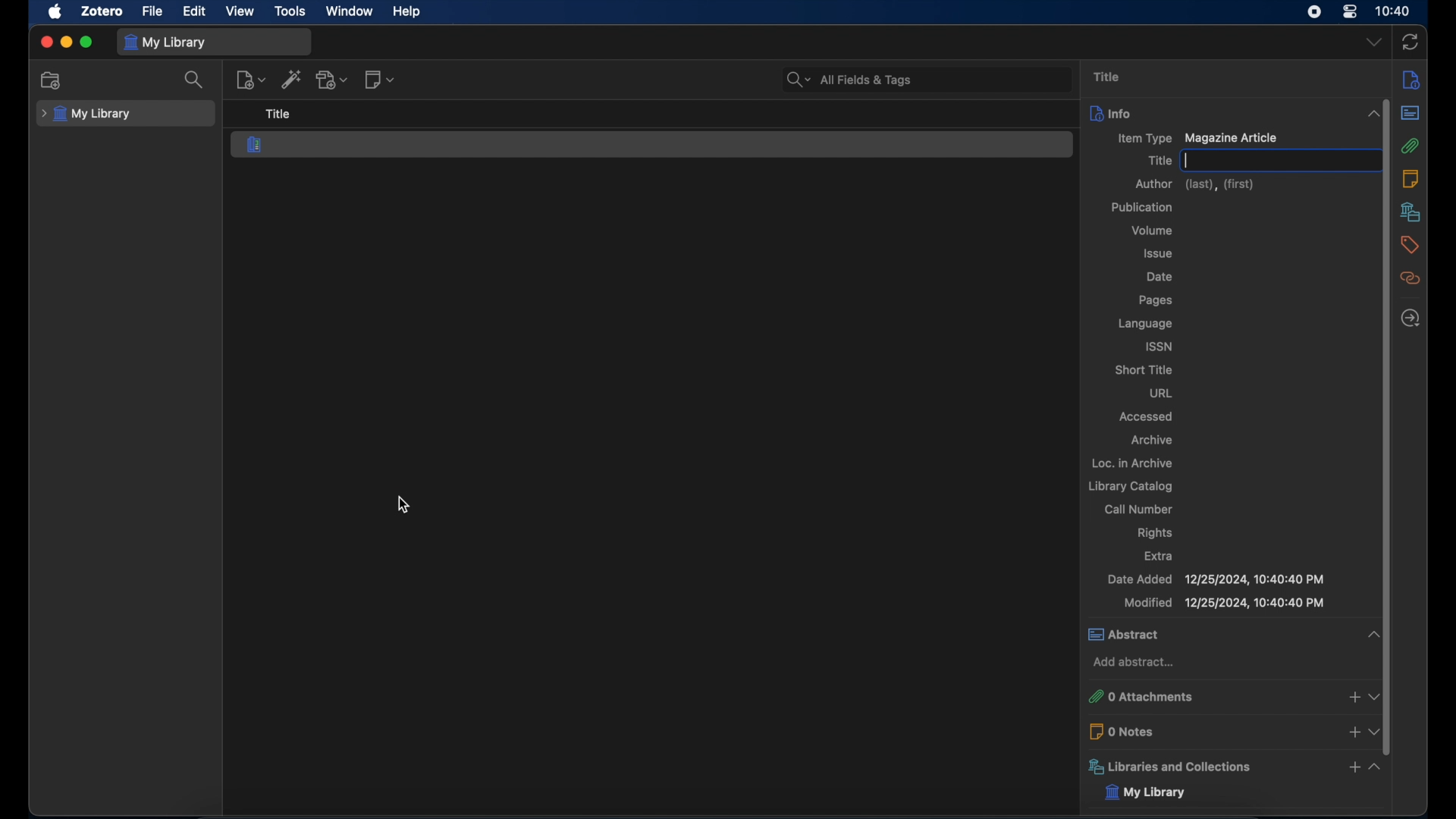  I want to click on issn, so click(1159, 346).